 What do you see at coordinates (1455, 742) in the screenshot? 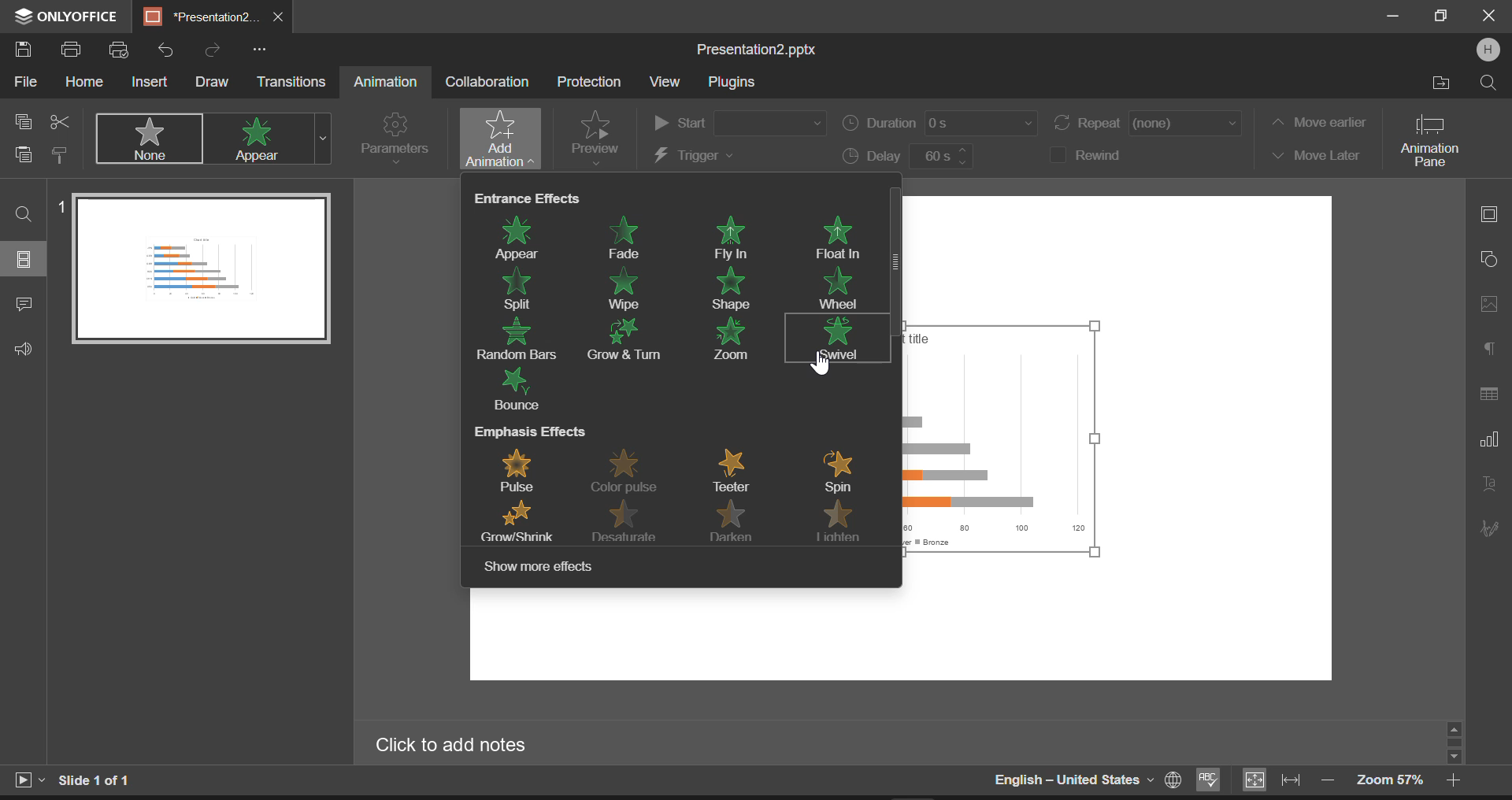
I see `Scroll Bar` at bounding box center [1455, 742].